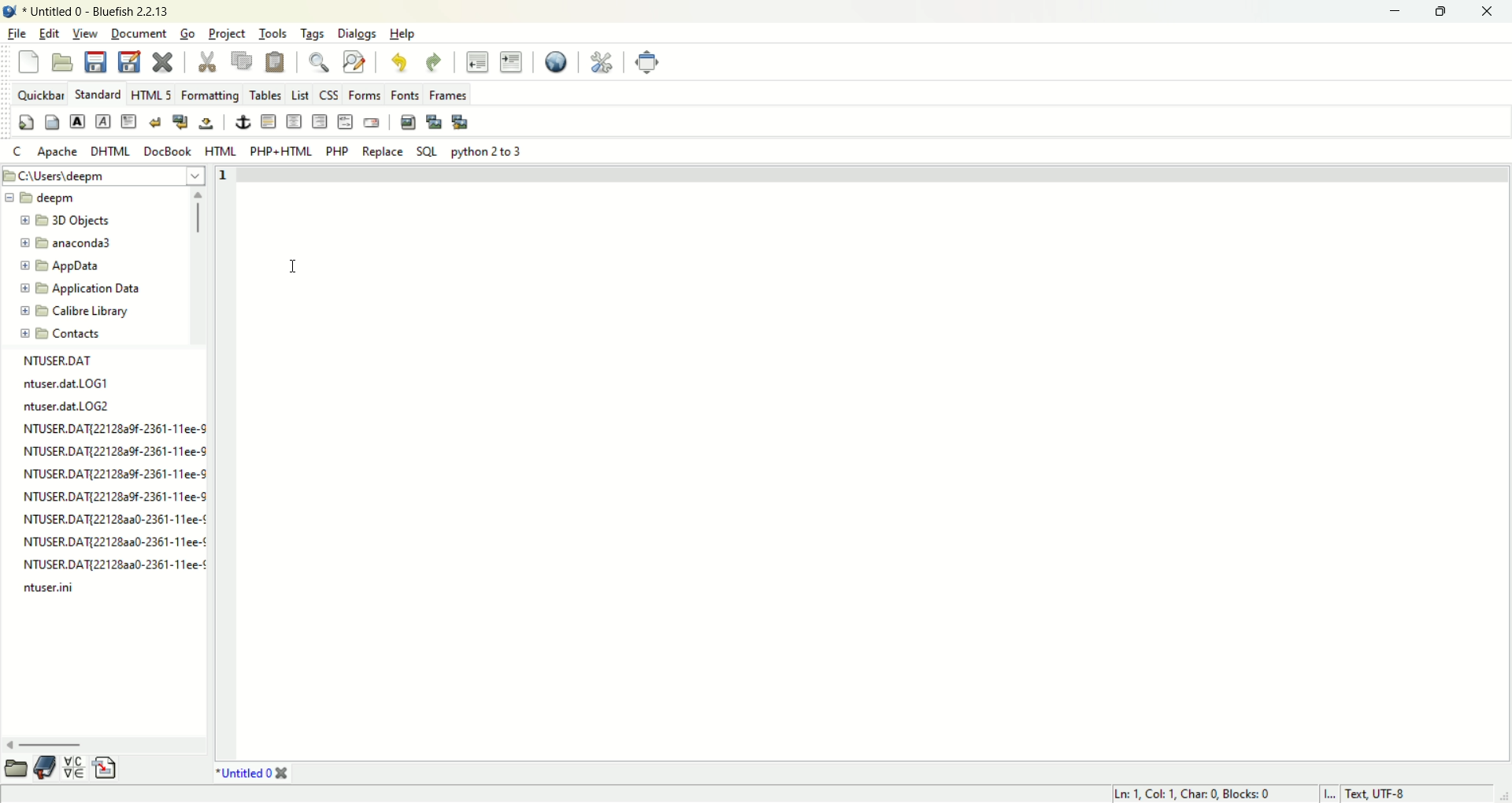  I want to click on break, so click(157, 121).